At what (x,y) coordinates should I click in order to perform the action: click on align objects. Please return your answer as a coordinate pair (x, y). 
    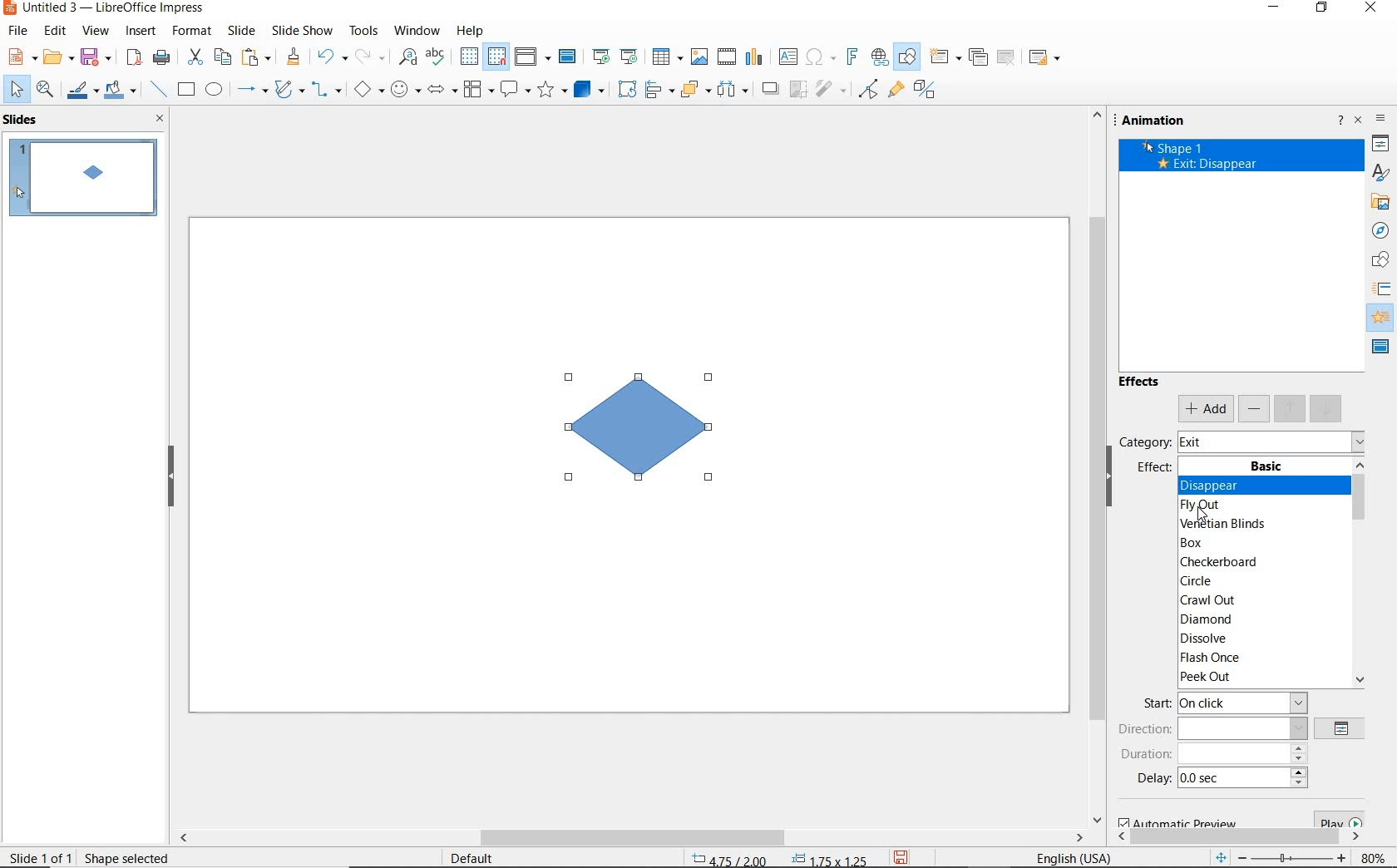
    Looking at the image, I should click on (659, 91).